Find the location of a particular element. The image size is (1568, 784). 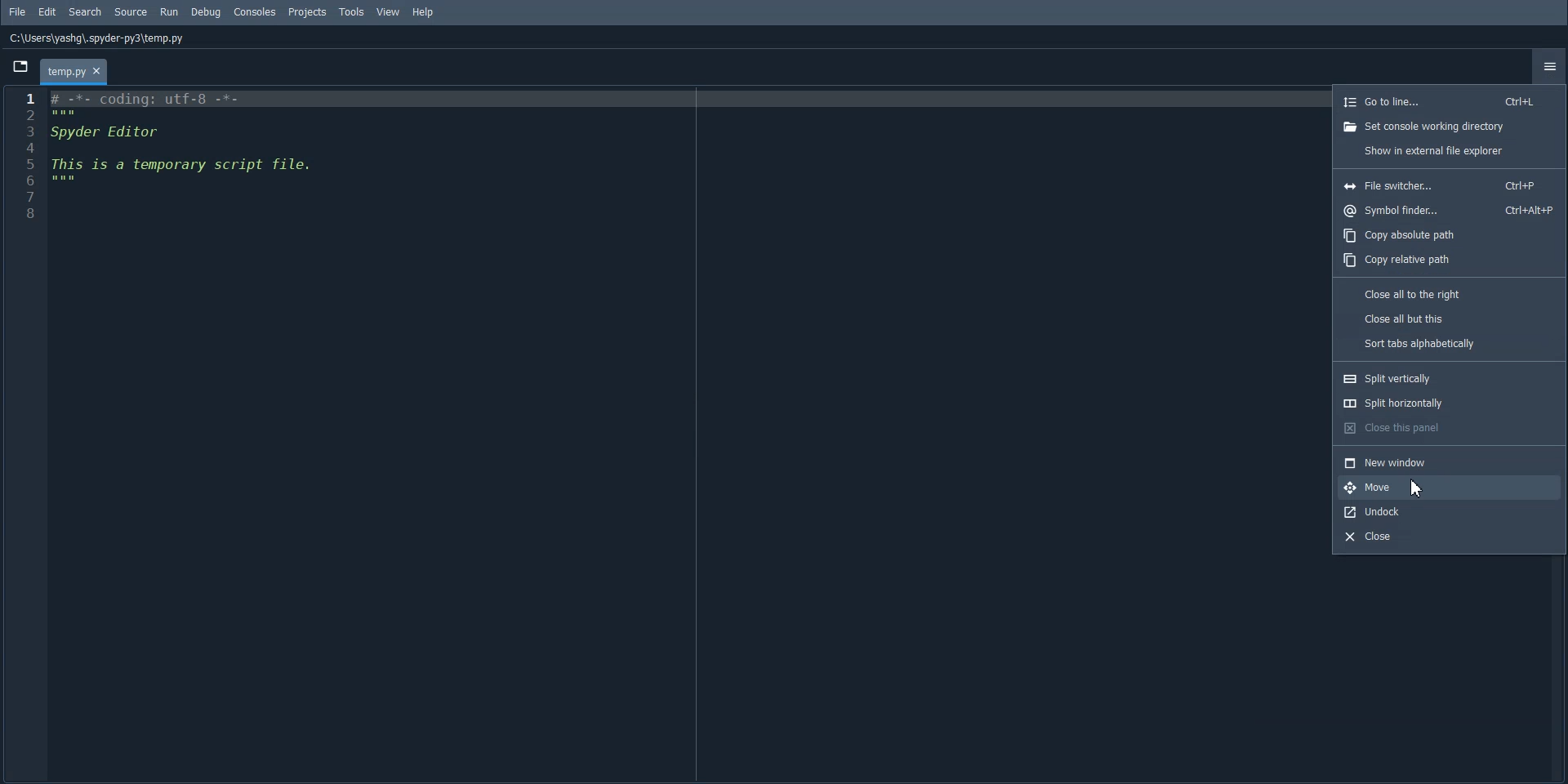

Undock is located at coordinates (1446, 511).